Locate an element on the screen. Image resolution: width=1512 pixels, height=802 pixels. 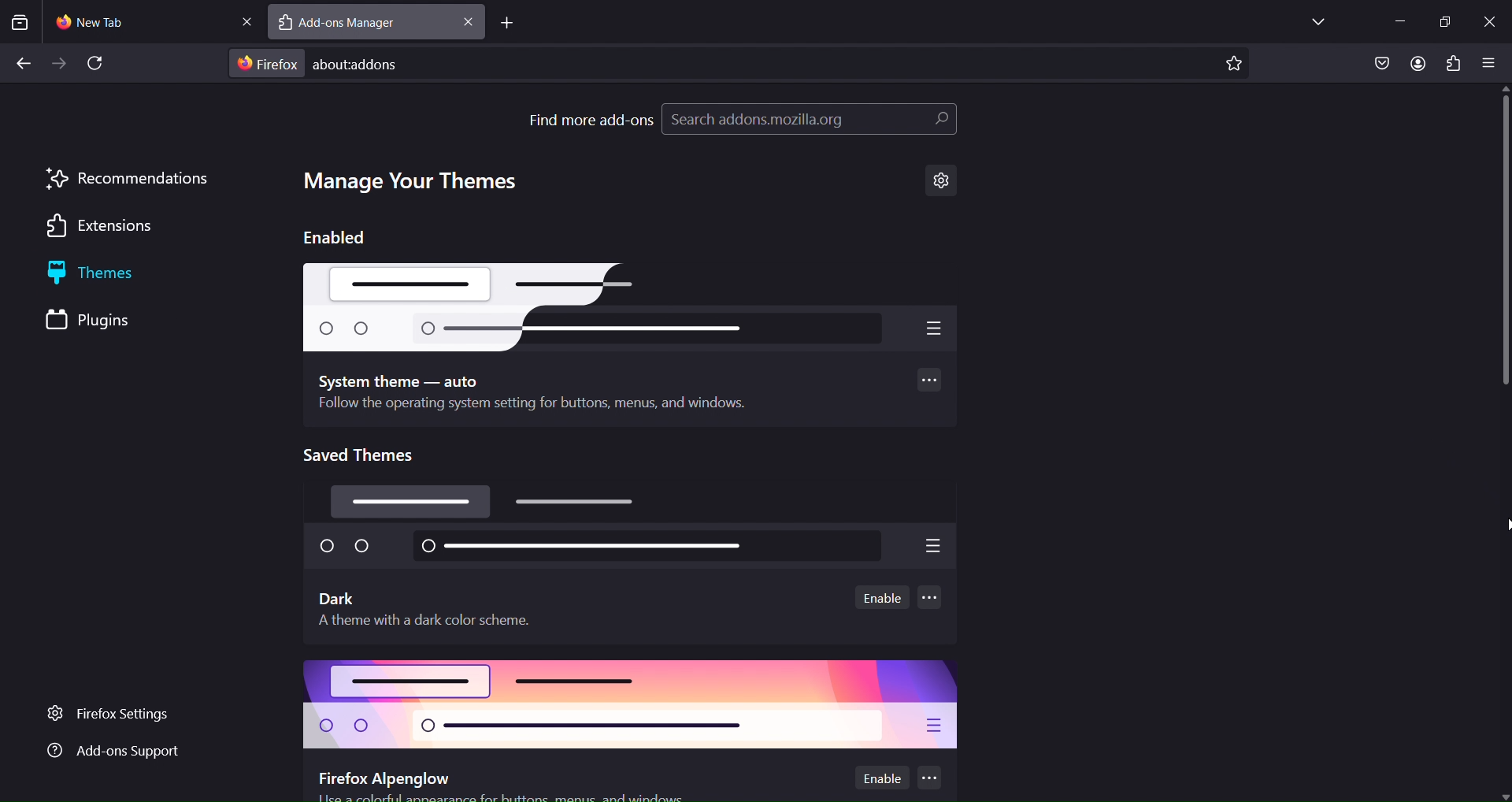
System theme — auto
Follow the operating system setting for buttons, menus, and windows. is located at coordinates (535, 394).